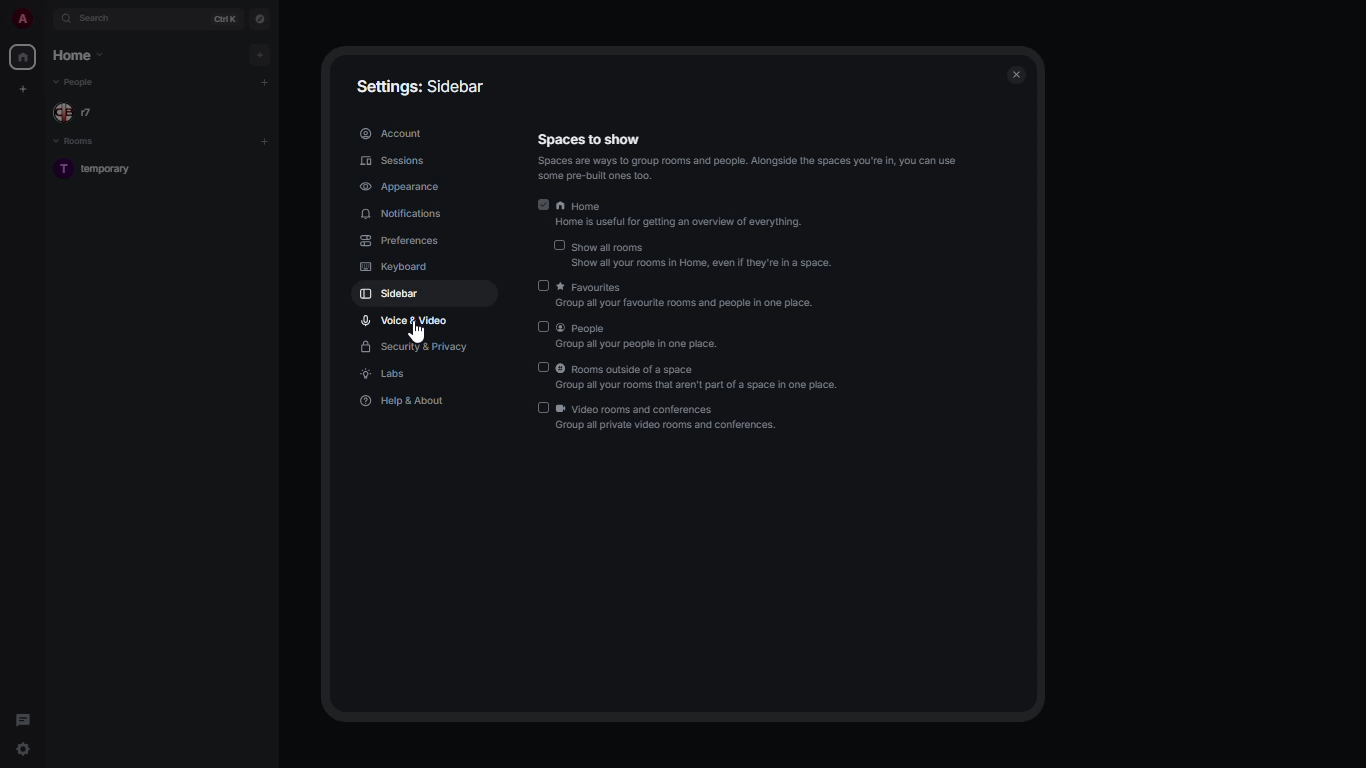  Describe the element at coordinates (386, 375) in the screenshot. I see `labs` at that location.